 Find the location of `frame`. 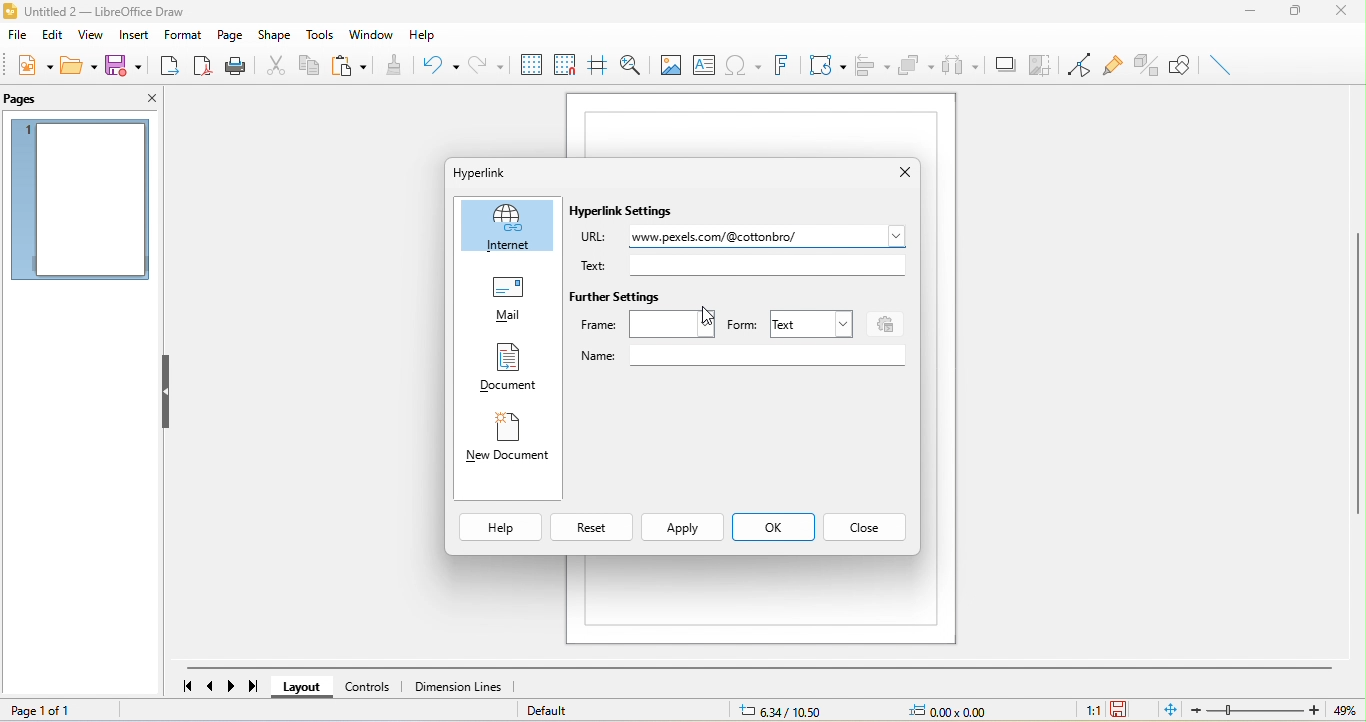

frame is located at coordinates (647, 325).